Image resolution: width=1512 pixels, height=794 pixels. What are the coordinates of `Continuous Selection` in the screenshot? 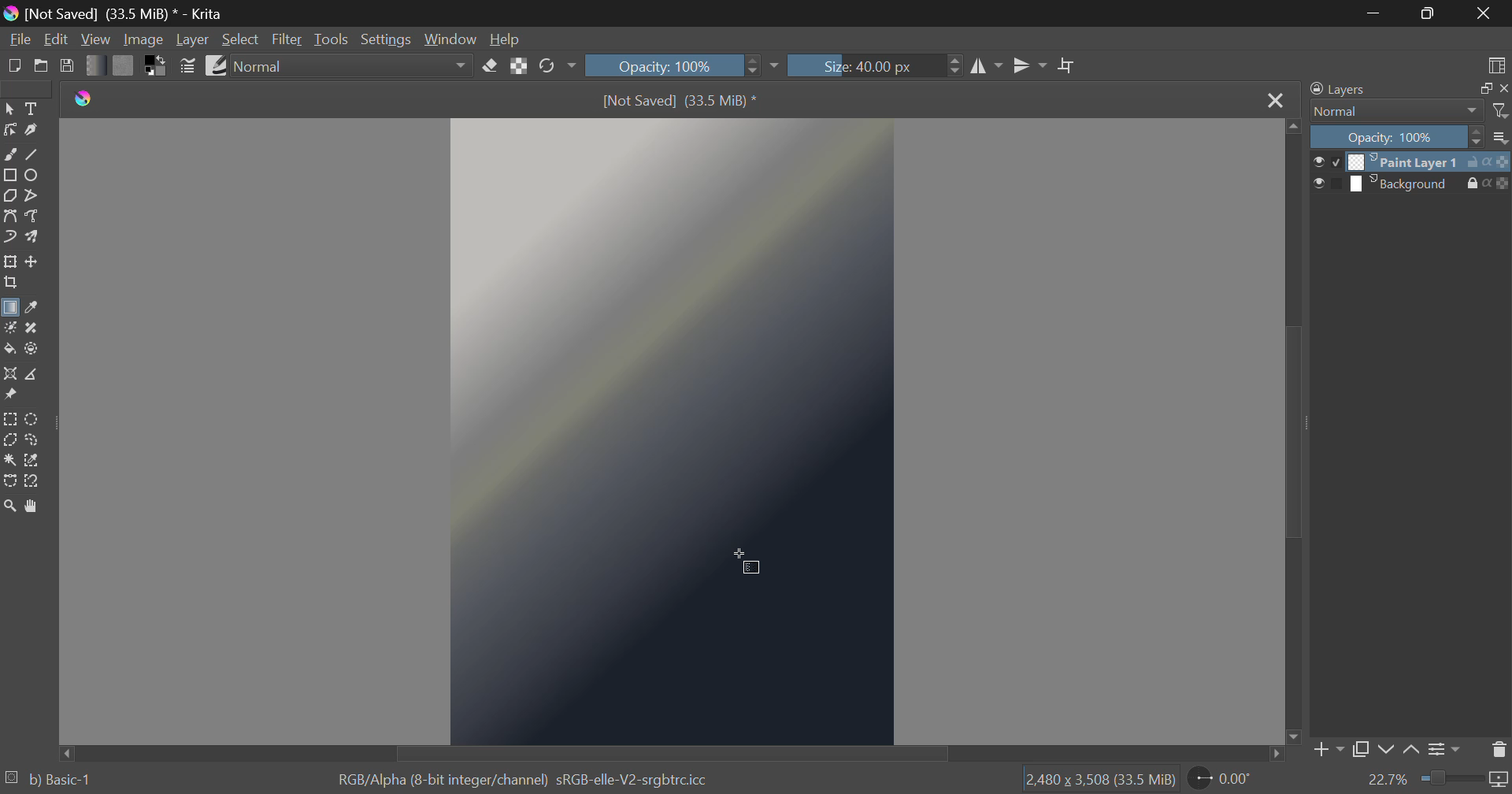 It's located at (9, 459).